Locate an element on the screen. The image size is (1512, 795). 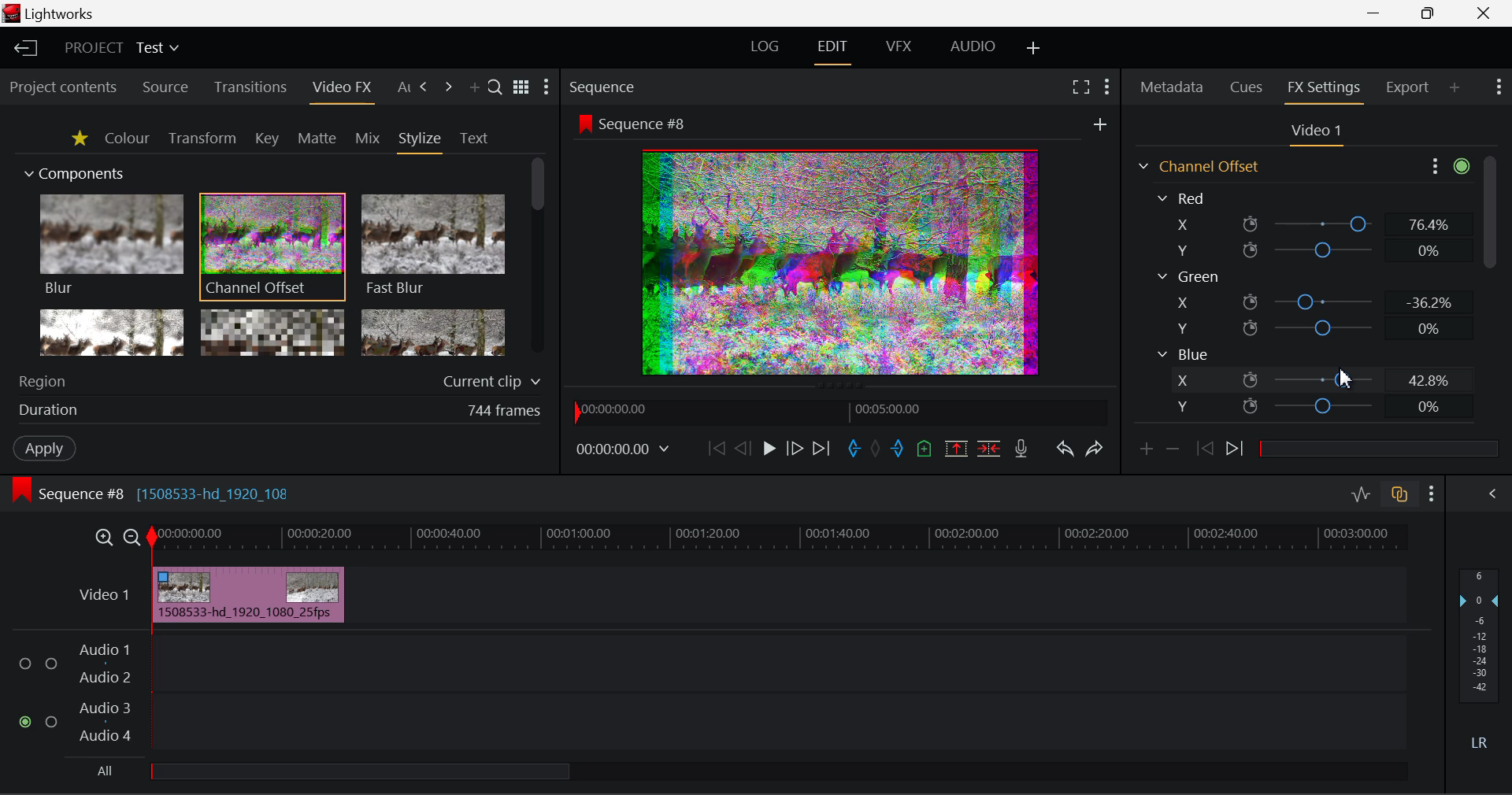
Restore Down is located at coordinates (1379, 14).